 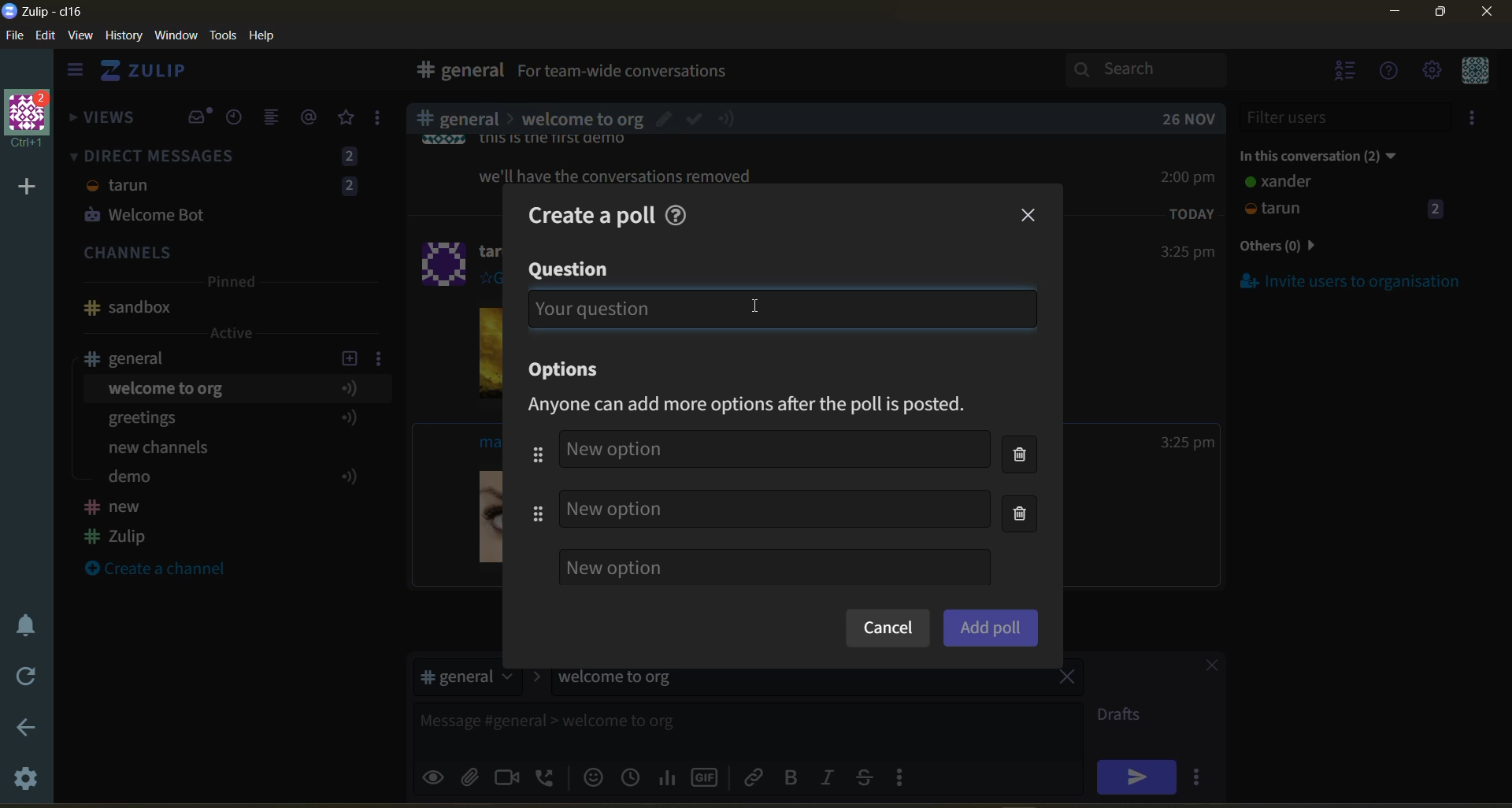 What do you see at coordinates (680, 213) in the screenshot?
I see `help` at bounding box center [680, 213].